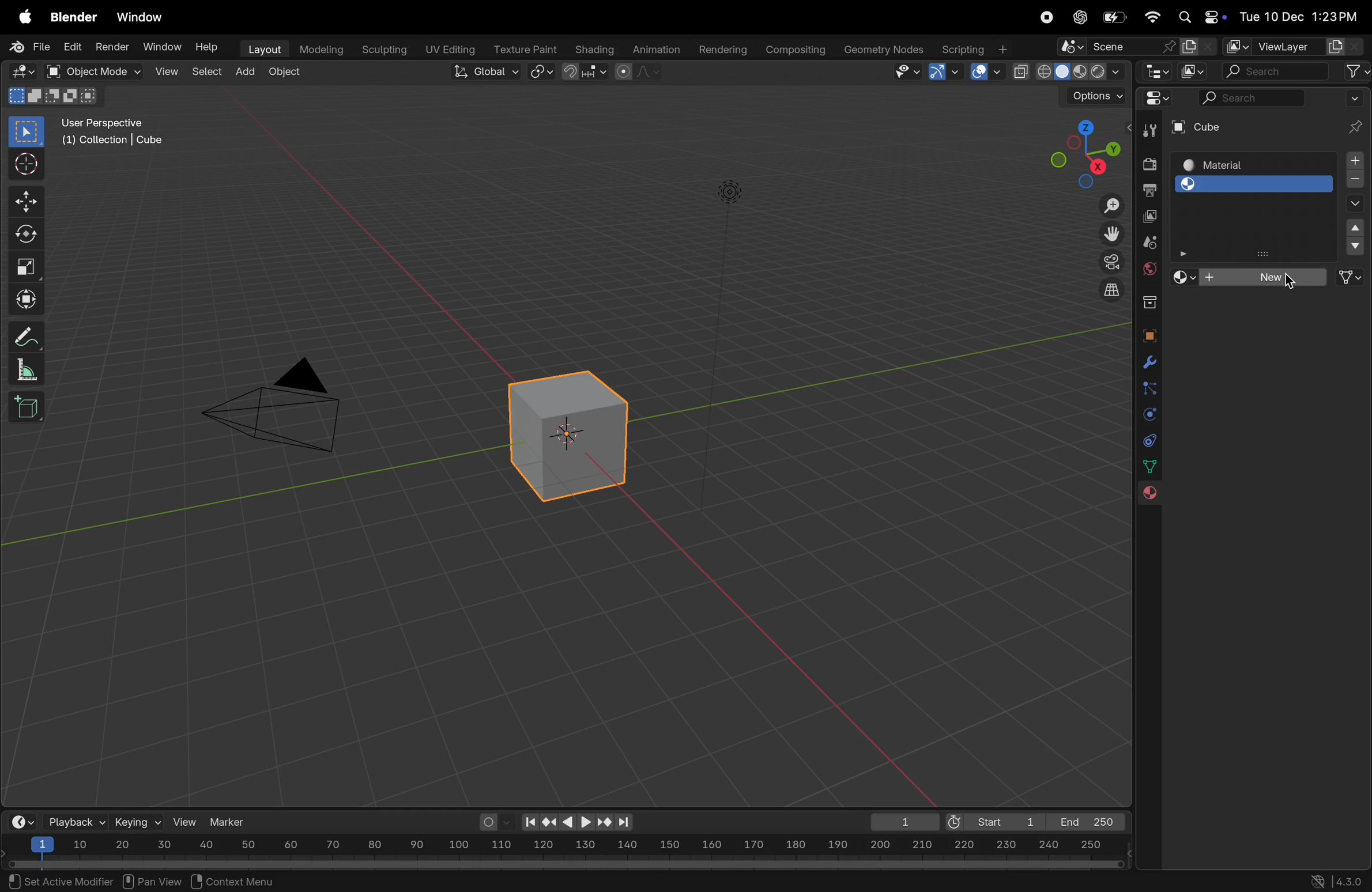  Describe the element at coordinates (542, 73) in the screenshot. I see `snap` at that location.